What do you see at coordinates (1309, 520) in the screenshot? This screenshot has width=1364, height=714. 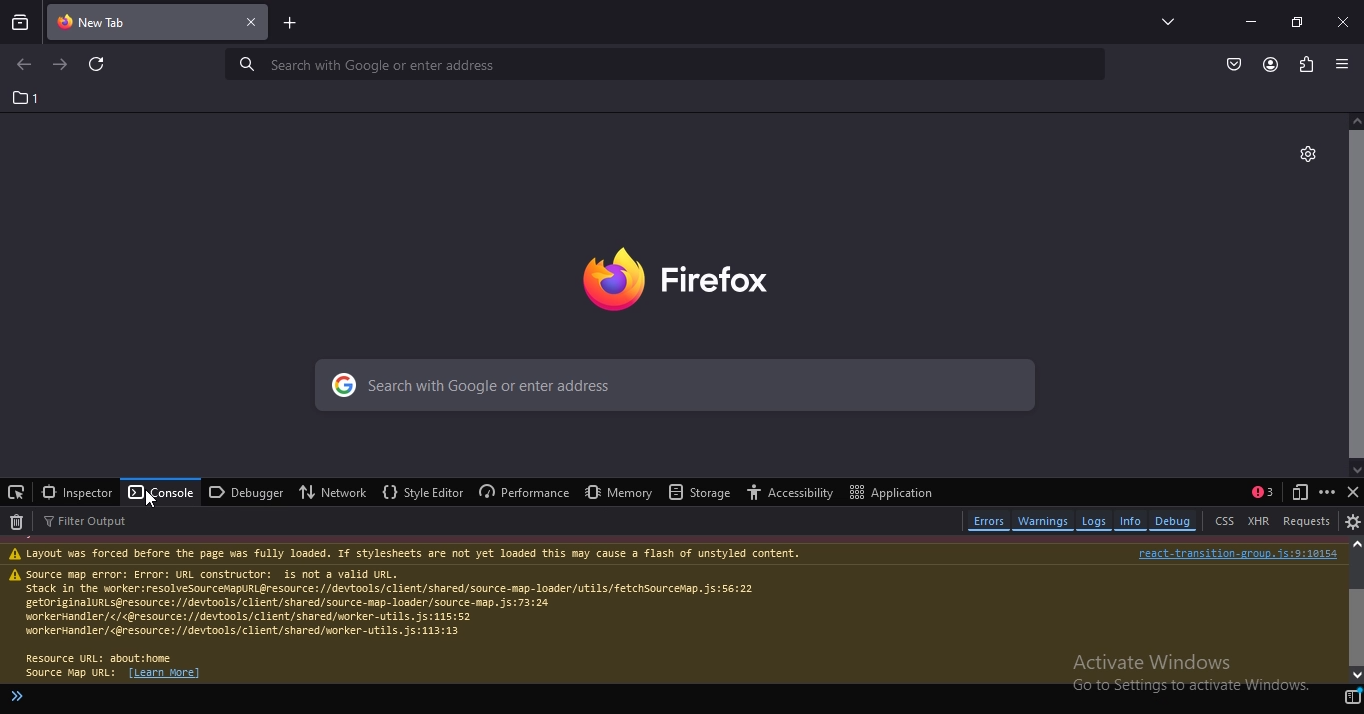 I see `requests` at bounding box center [1309, 520].